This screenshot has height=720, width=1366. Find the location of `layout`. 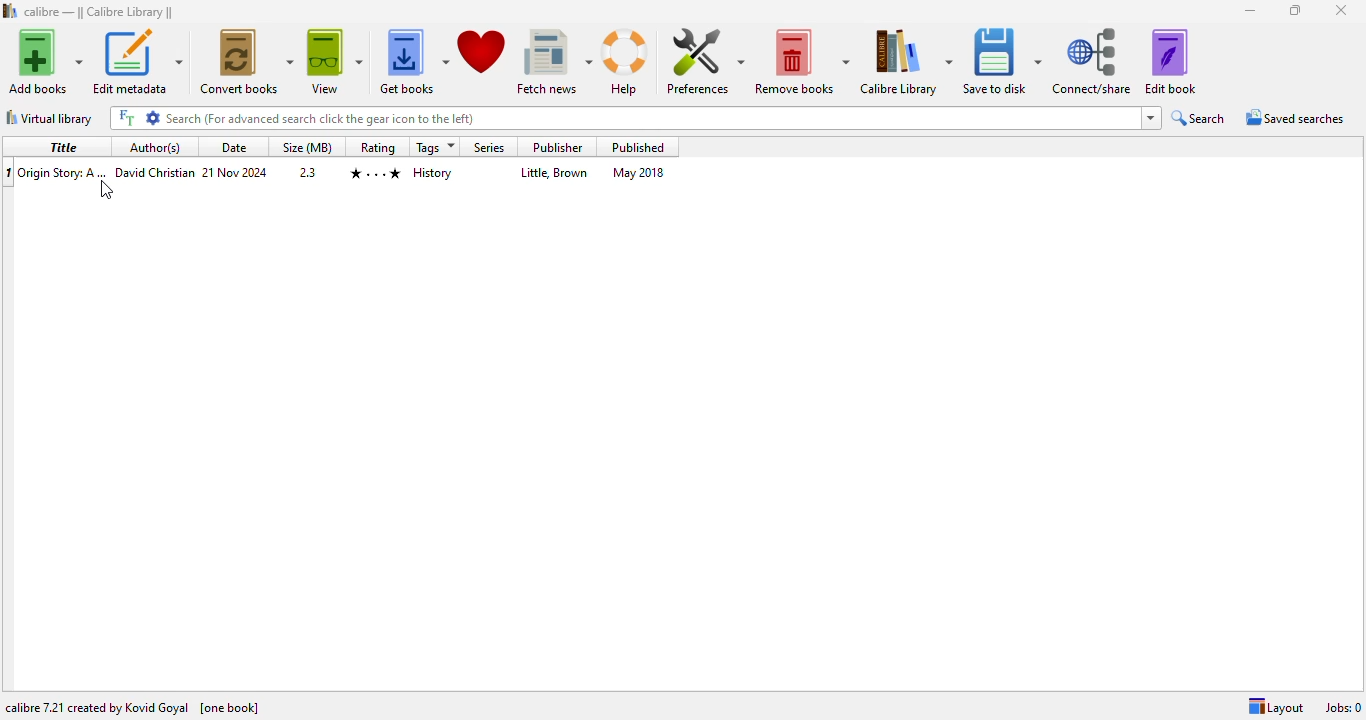

layout is located at coordinates (1276, 706).